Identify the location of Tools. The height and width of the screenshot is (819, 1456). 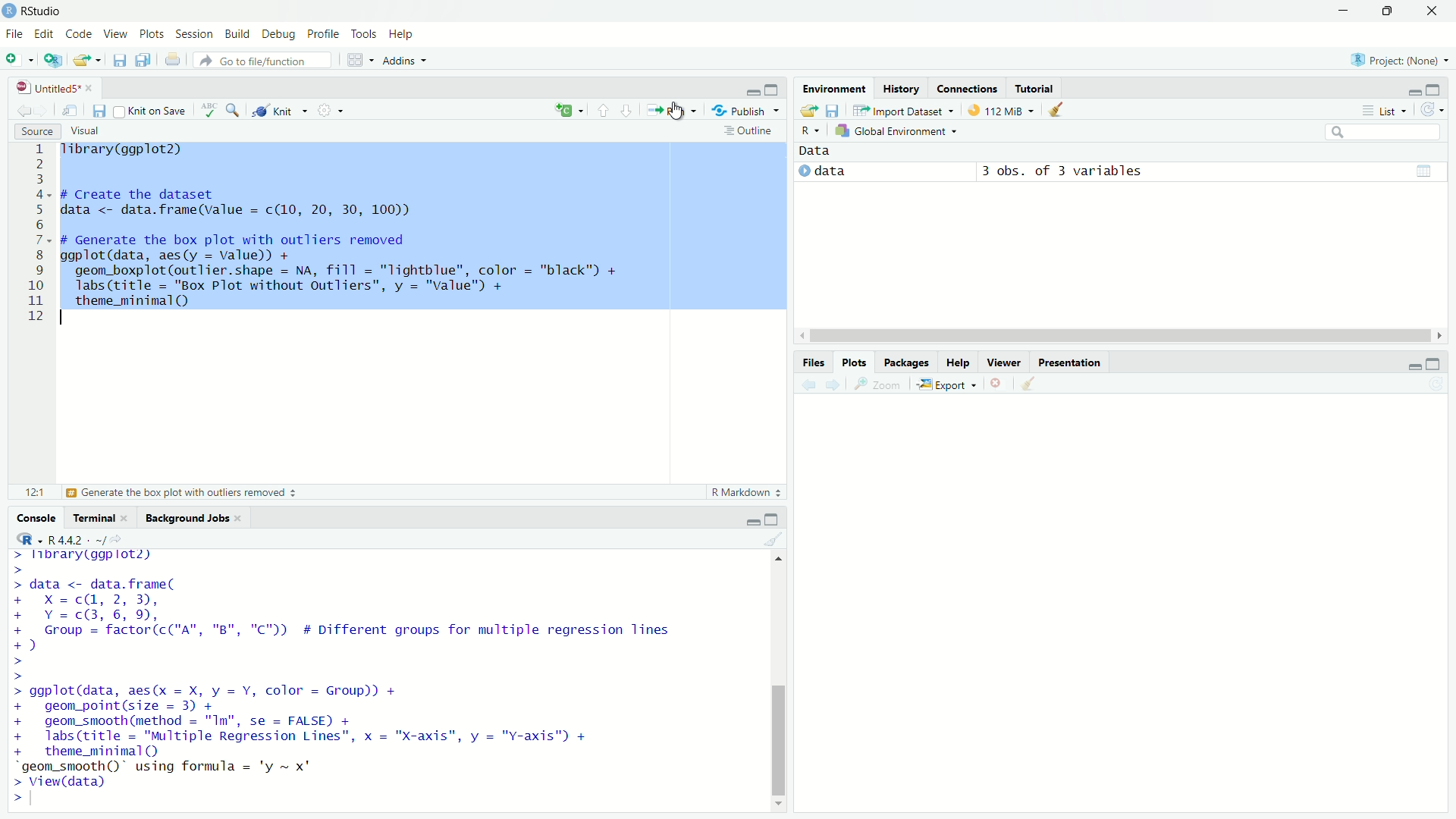
(364, 34).